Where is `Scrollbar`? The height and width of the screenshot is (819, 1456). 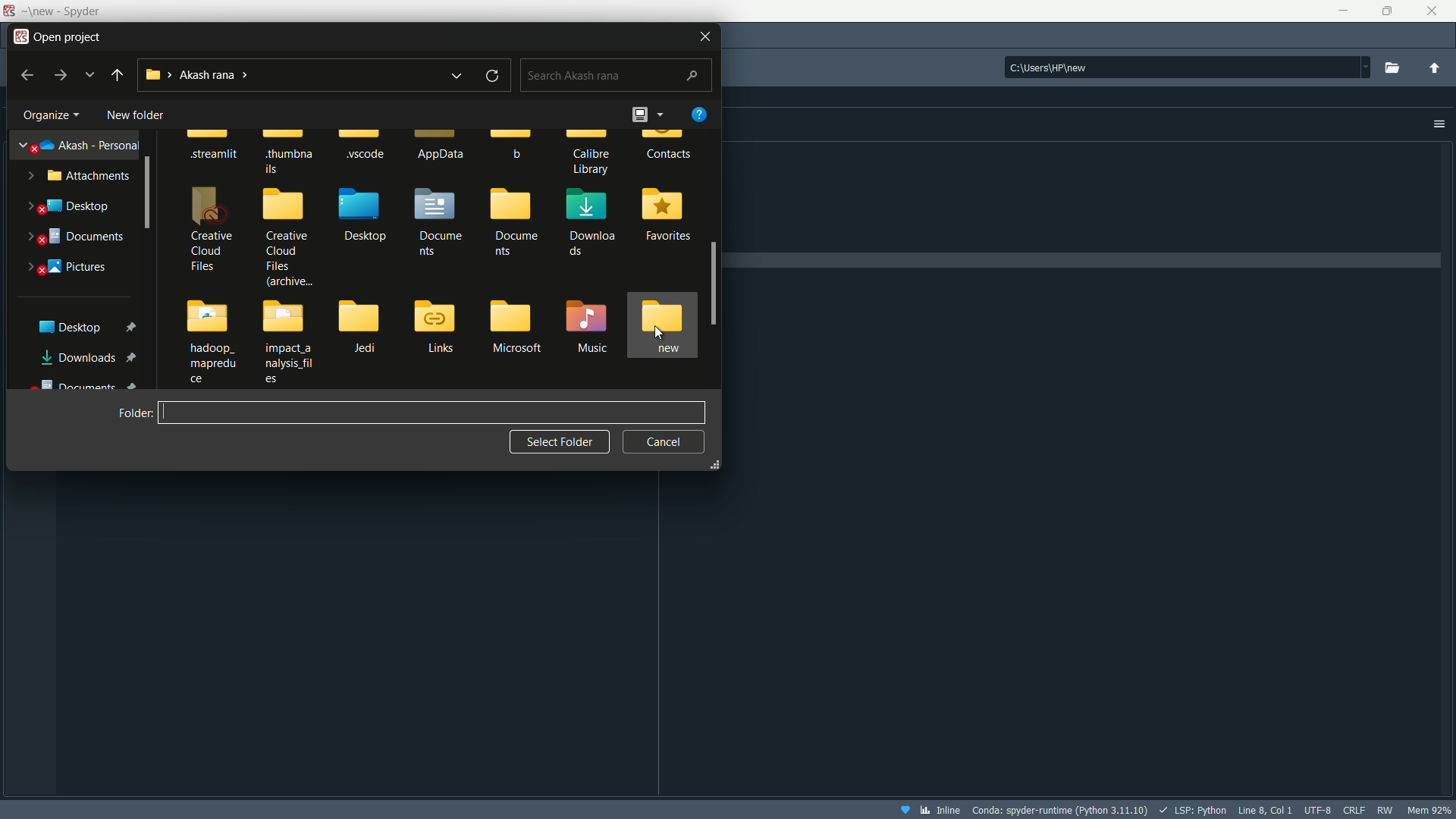 Scrollbar is located at coordinates (149, 193).